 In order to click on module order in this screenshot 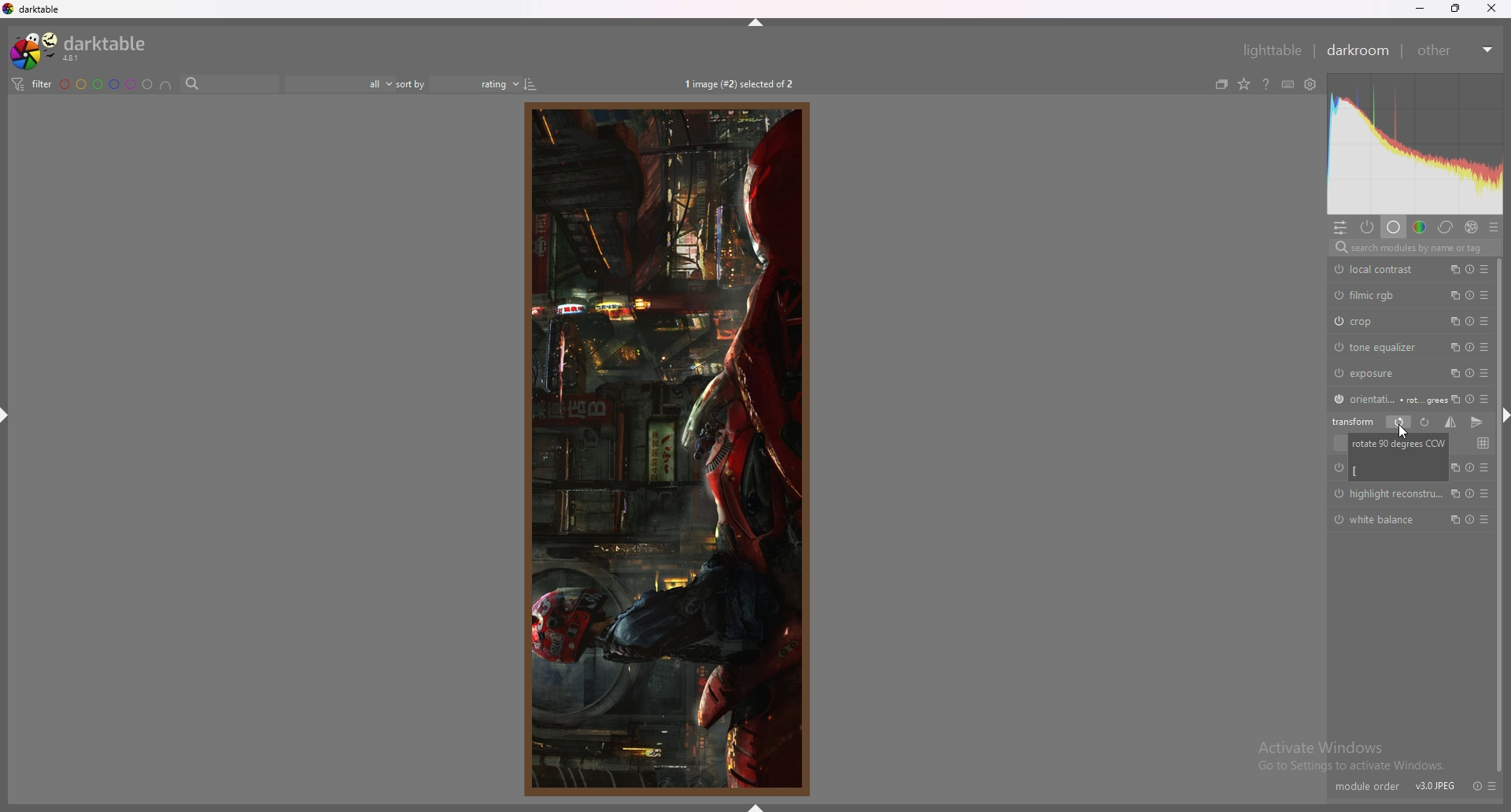, I will do `click(1367, 786)`.